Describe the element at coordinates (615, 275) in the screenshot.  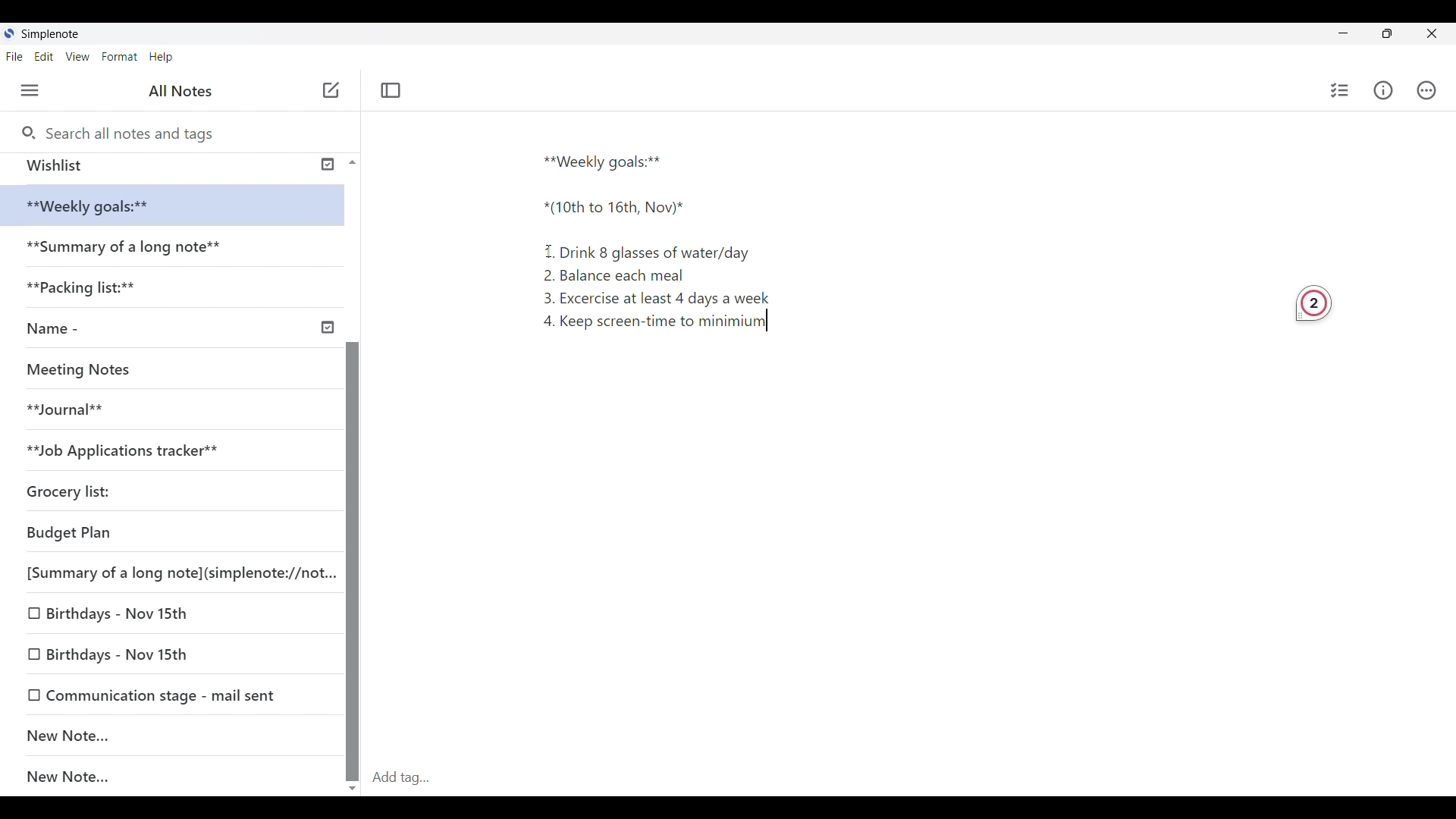
I see `2. Balance each meal` at that location.